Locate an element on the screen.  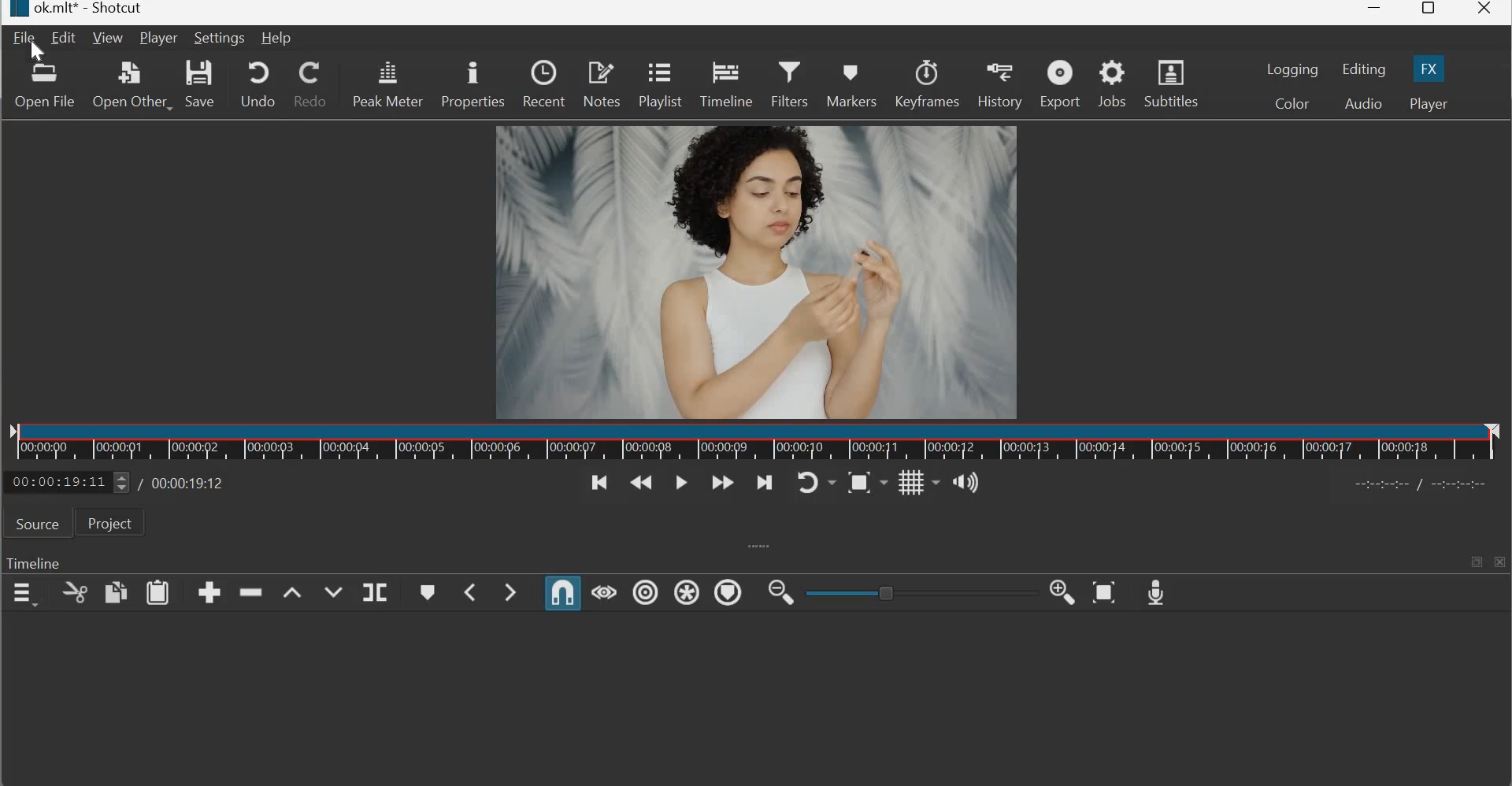
View is located at coordinates (108, 39).